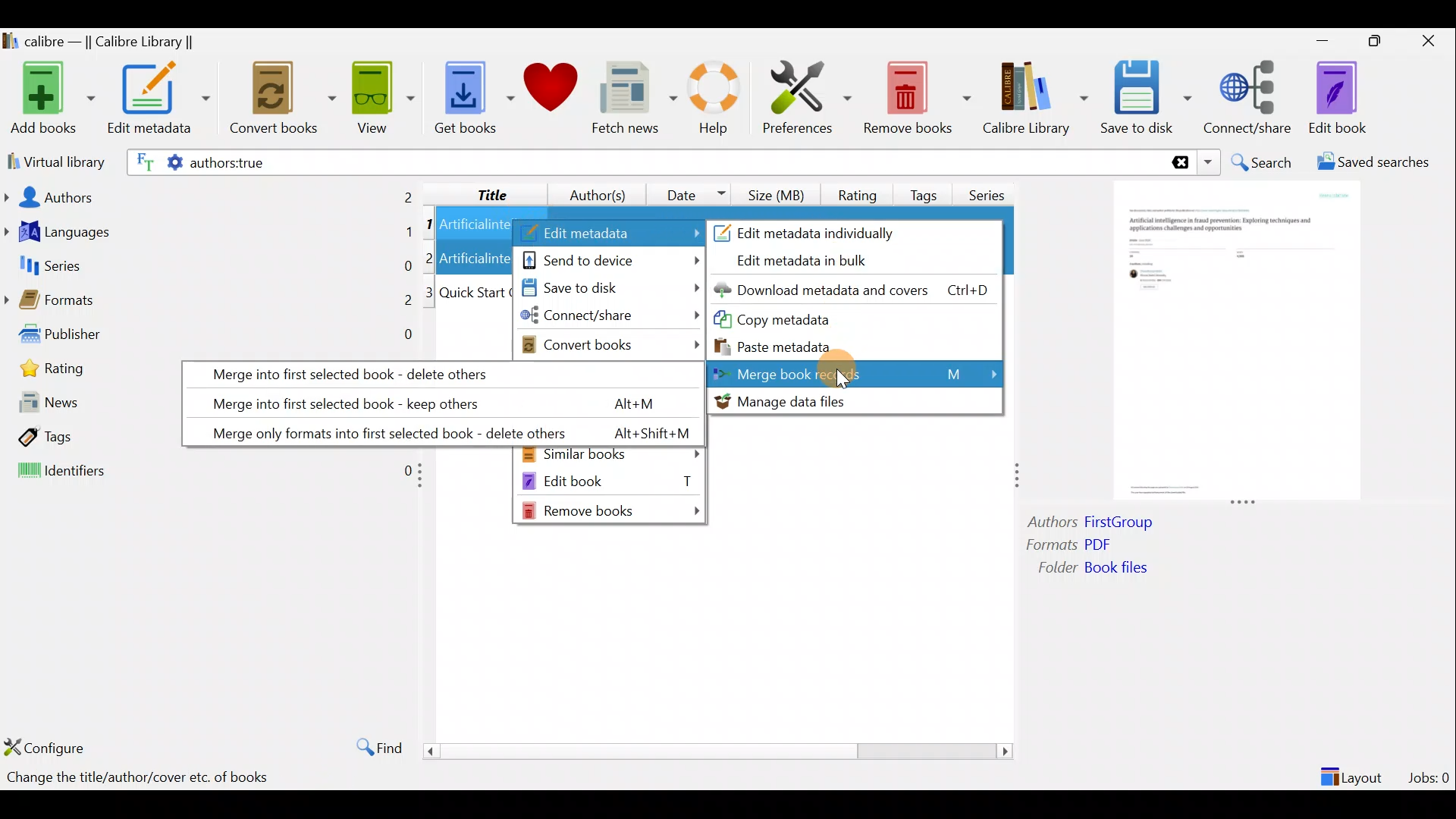 The width and height of the screenshot is (1456, 819). I want to click on Virtual library, so click(53, 160).